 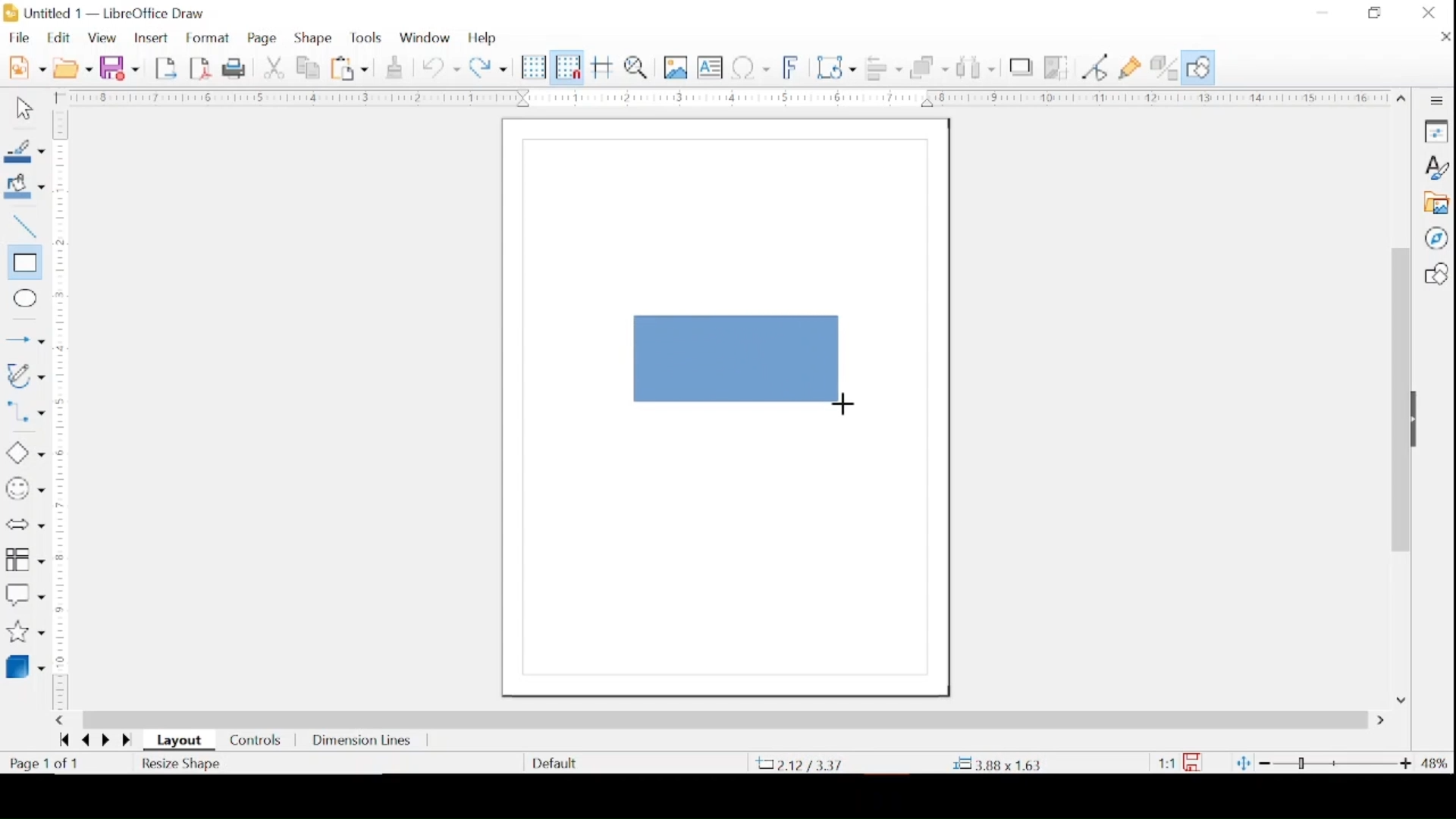 What do you see at coordinates (201, 67) in the screenshot?
I see `export directly as pdf` at bounding box center [201, 67].